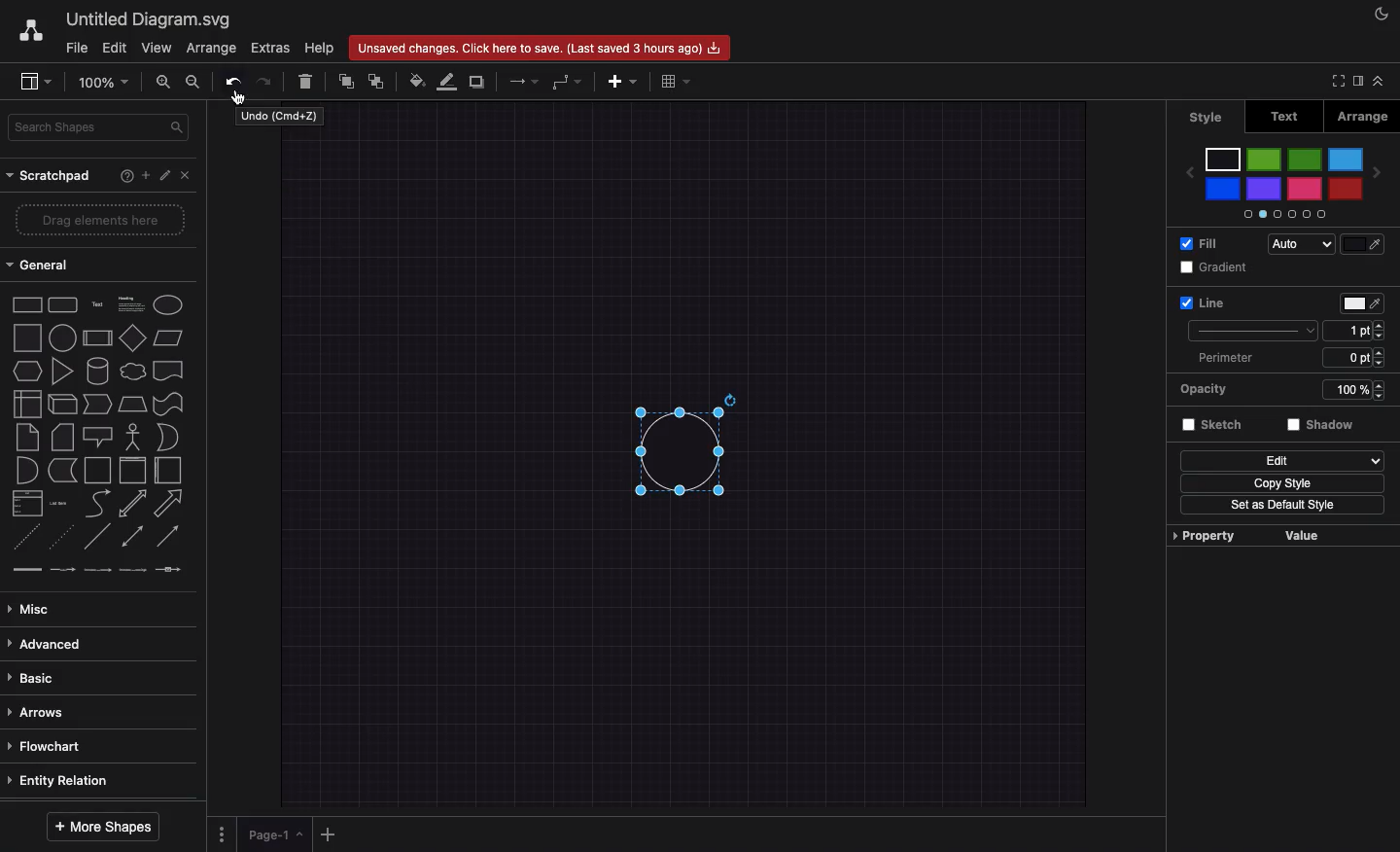  What do you see at coordinates (678, 448) in the screenshot?
I see `Shape` at bounding box center [678, 448].